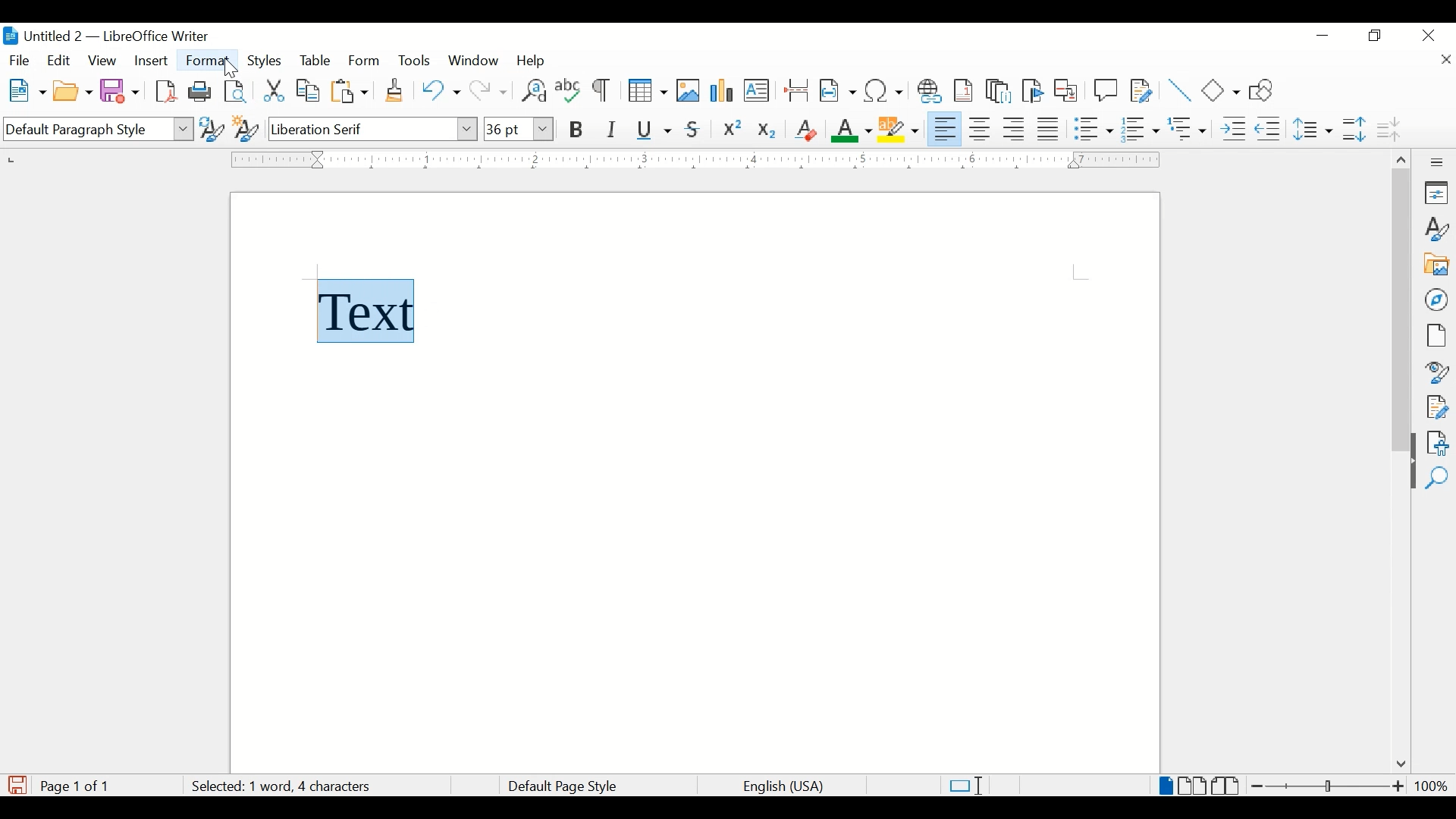 The height and width of the screenshot is (819, 1456). I want to click on table, so click(315, 61).